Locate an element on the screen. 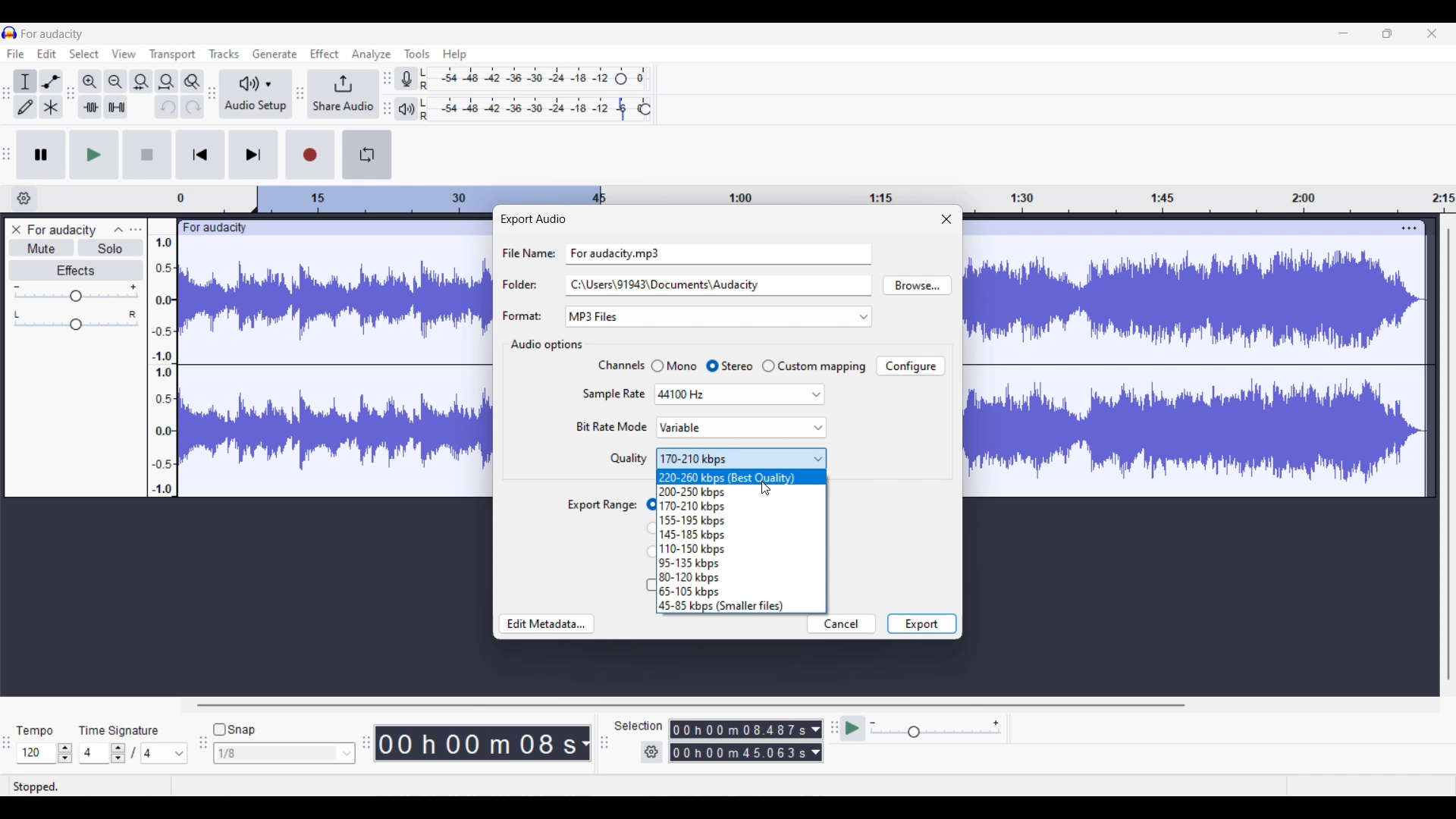 The image size is (1456, 819). Export is located at coordinates (921, 623).